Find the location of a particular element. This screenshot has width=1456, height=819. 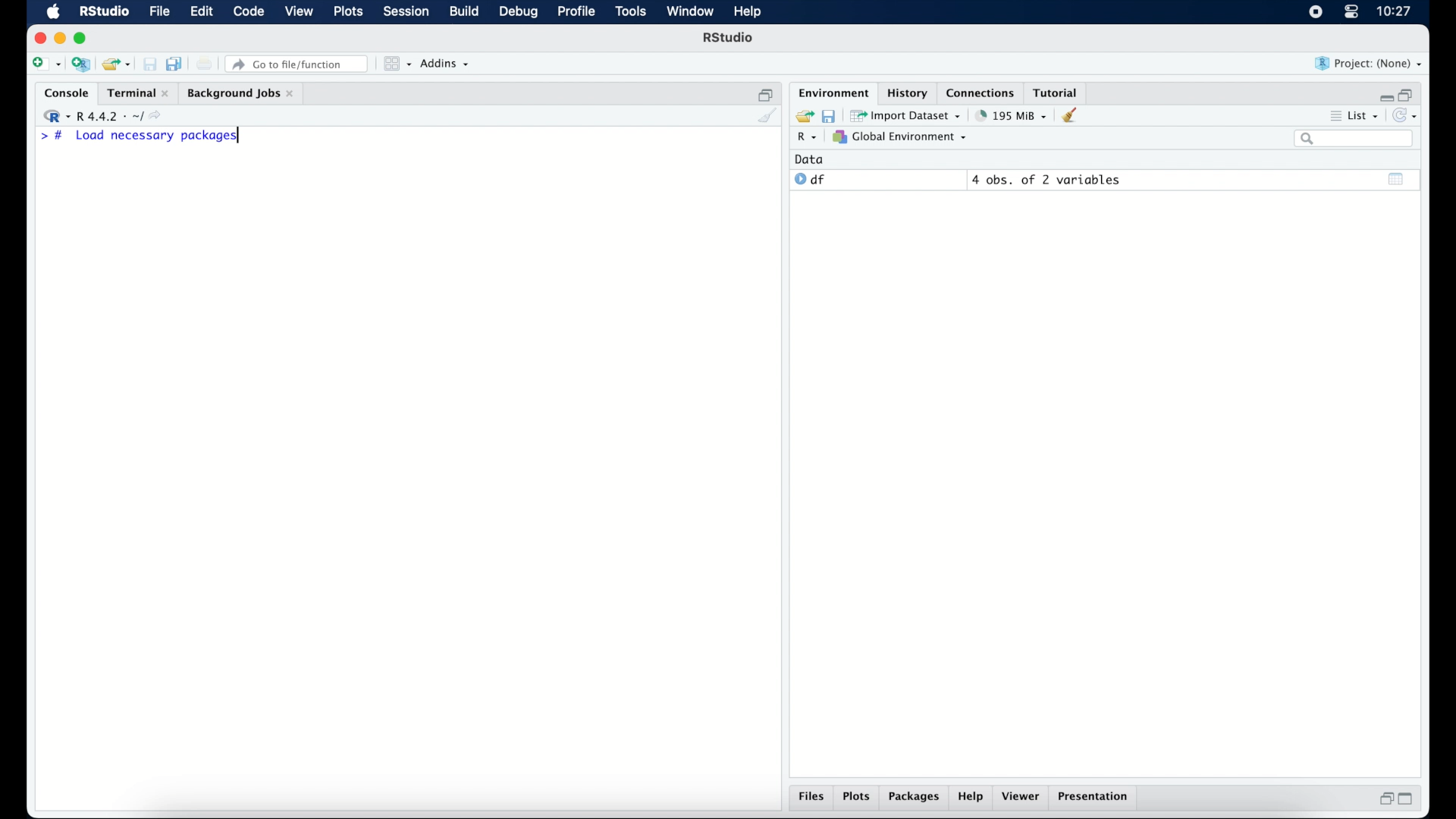

create new project is located at coordinates (81, 65).